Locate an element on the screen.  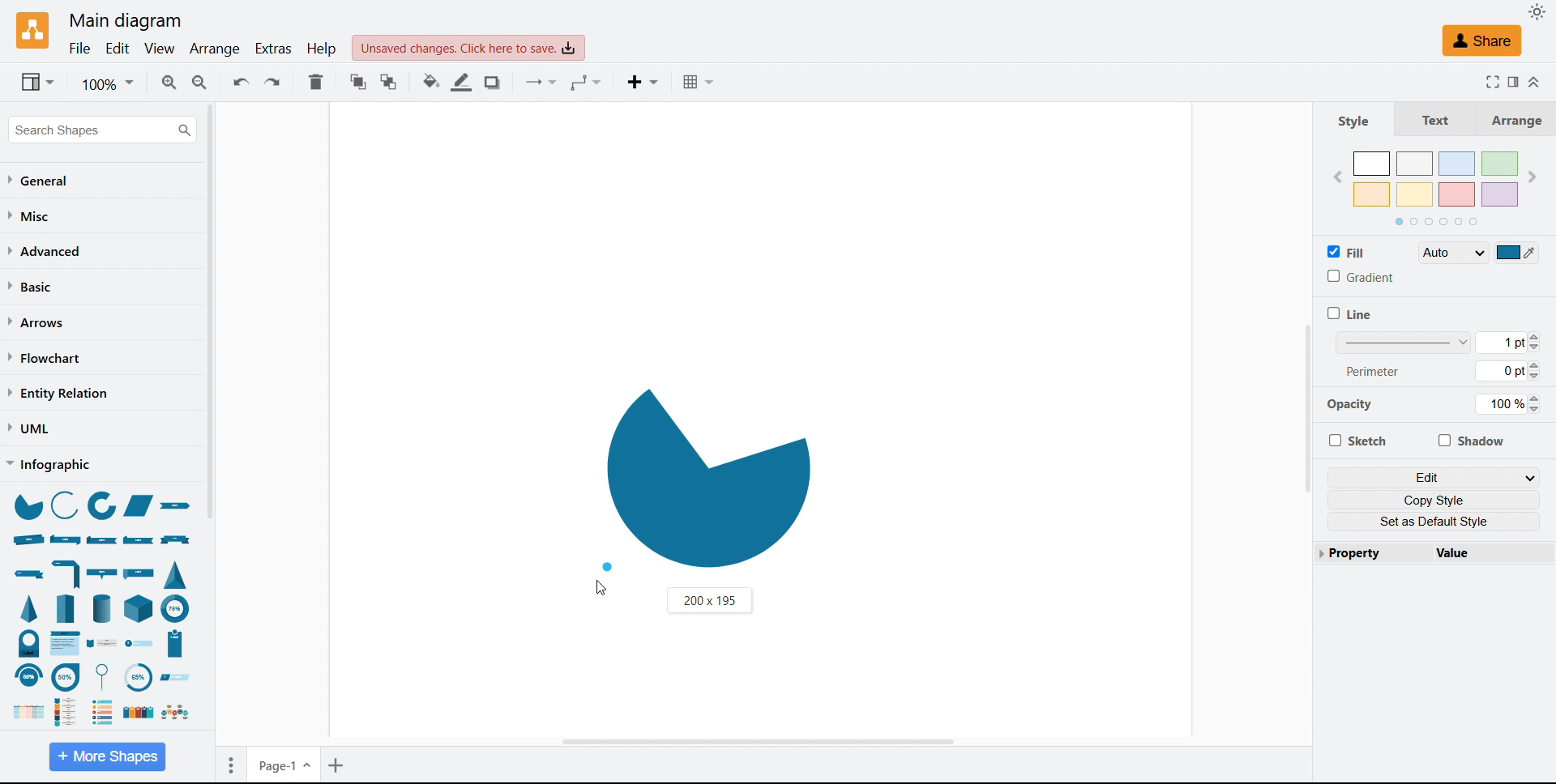
More shapes  is located at coordinates (107, 756).